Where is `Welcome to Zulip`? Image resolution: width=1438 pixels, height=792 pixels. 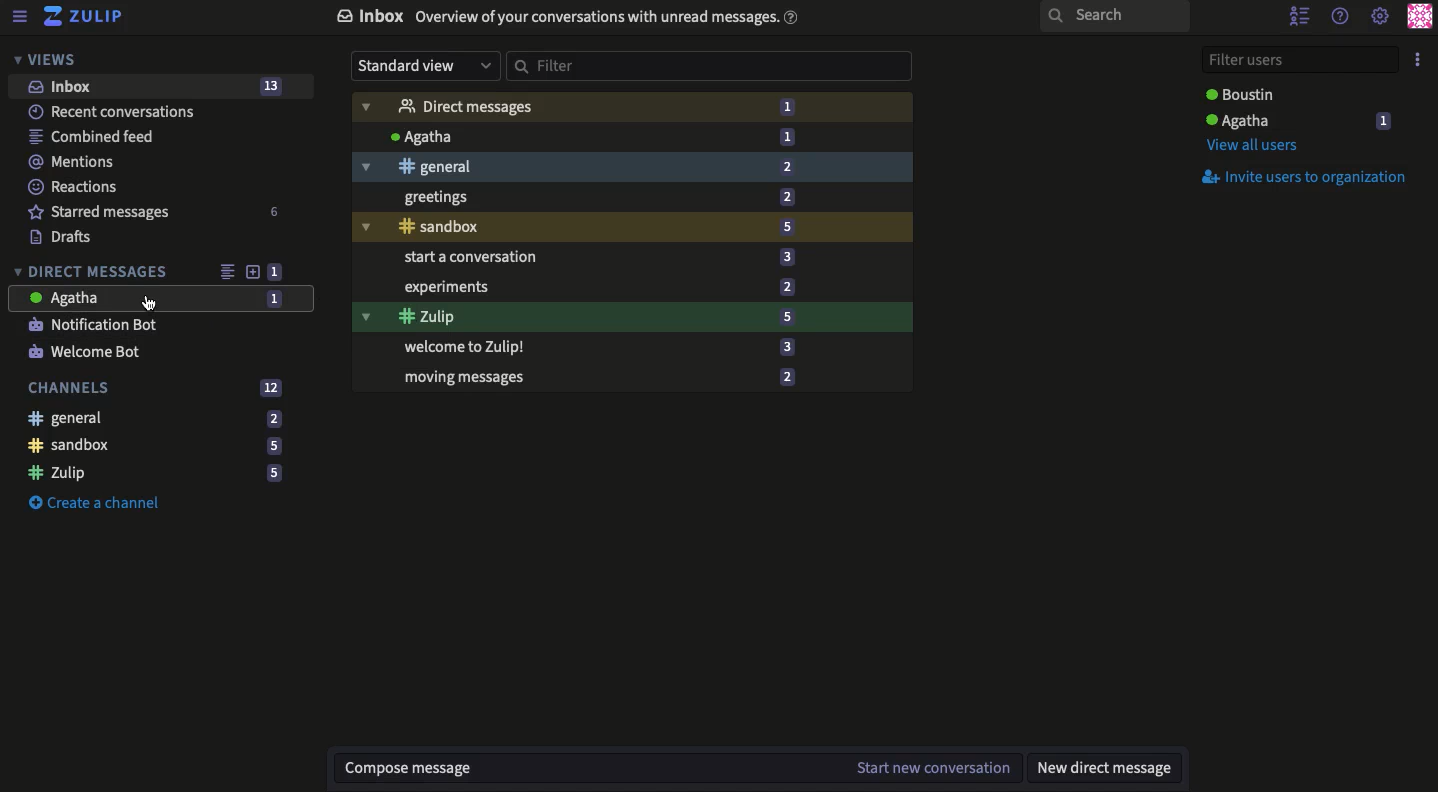
Welcome to Zulip is located at coordinates (633, 349).